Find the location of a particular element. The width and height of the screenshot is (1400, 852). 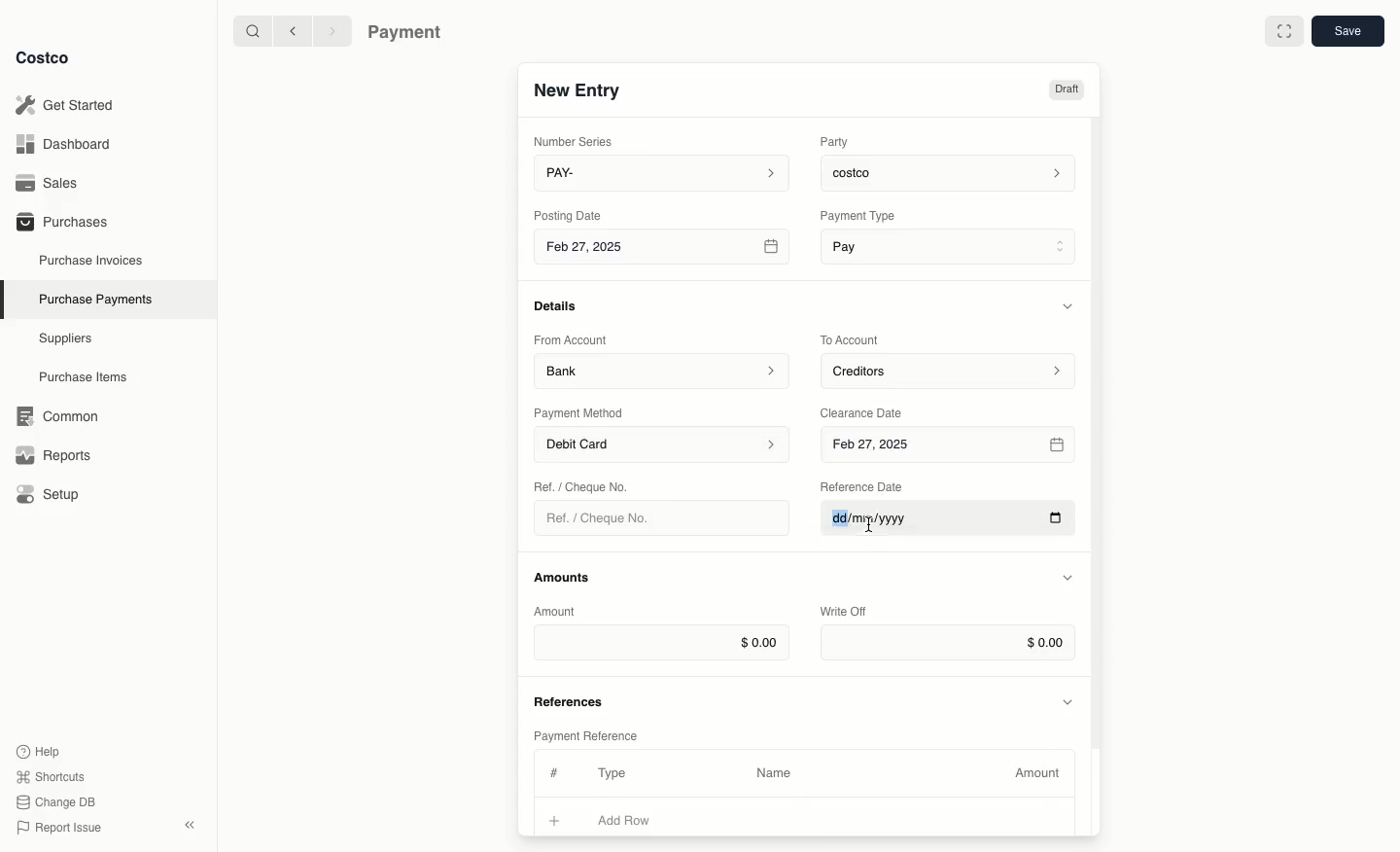

Ret. / Cheque No. is located at coordinates (583, 485).